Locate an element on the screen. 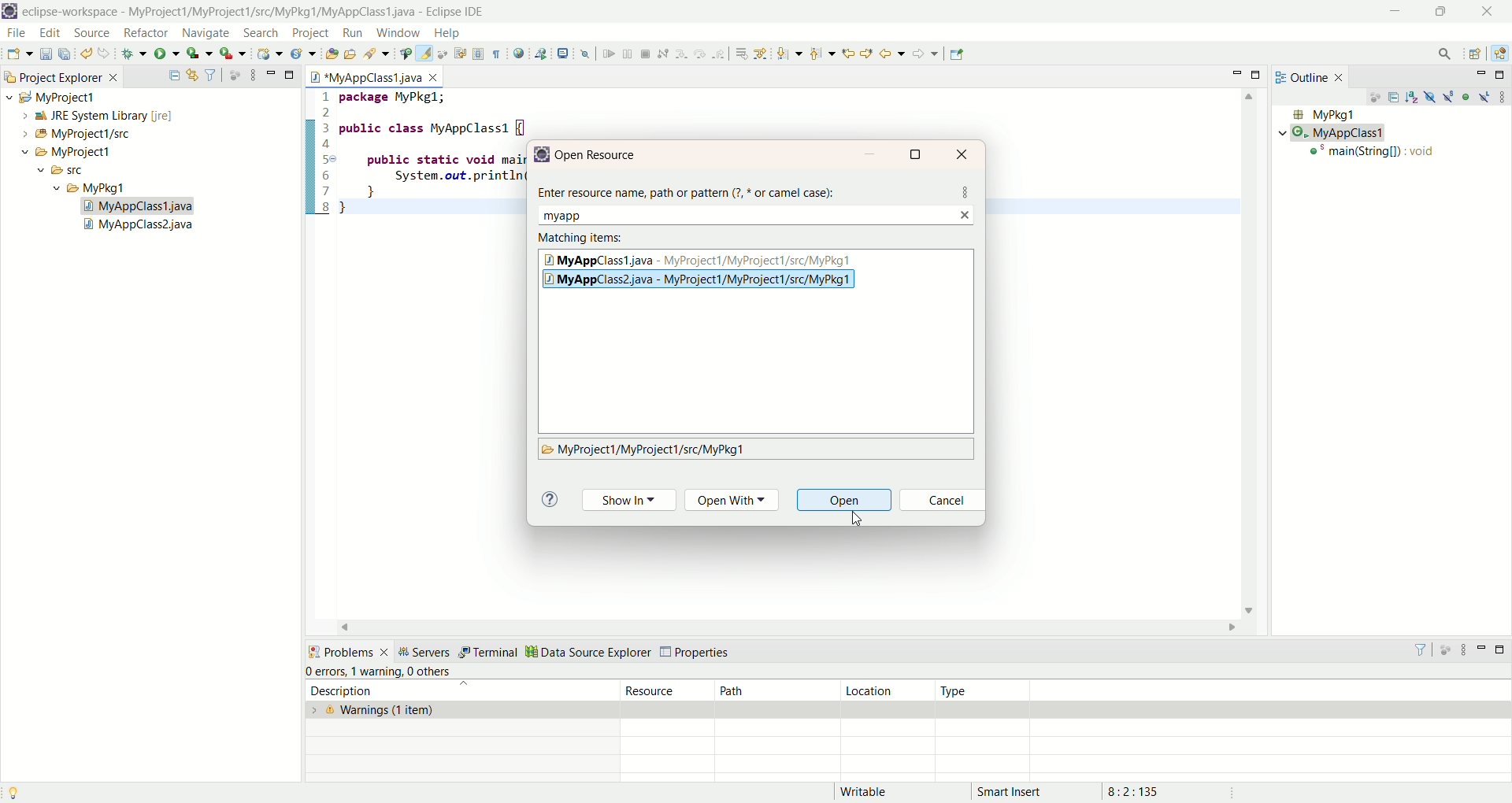 The width and height of the screenshot is (1512, 803). menu is located at coordinates (965, 191).